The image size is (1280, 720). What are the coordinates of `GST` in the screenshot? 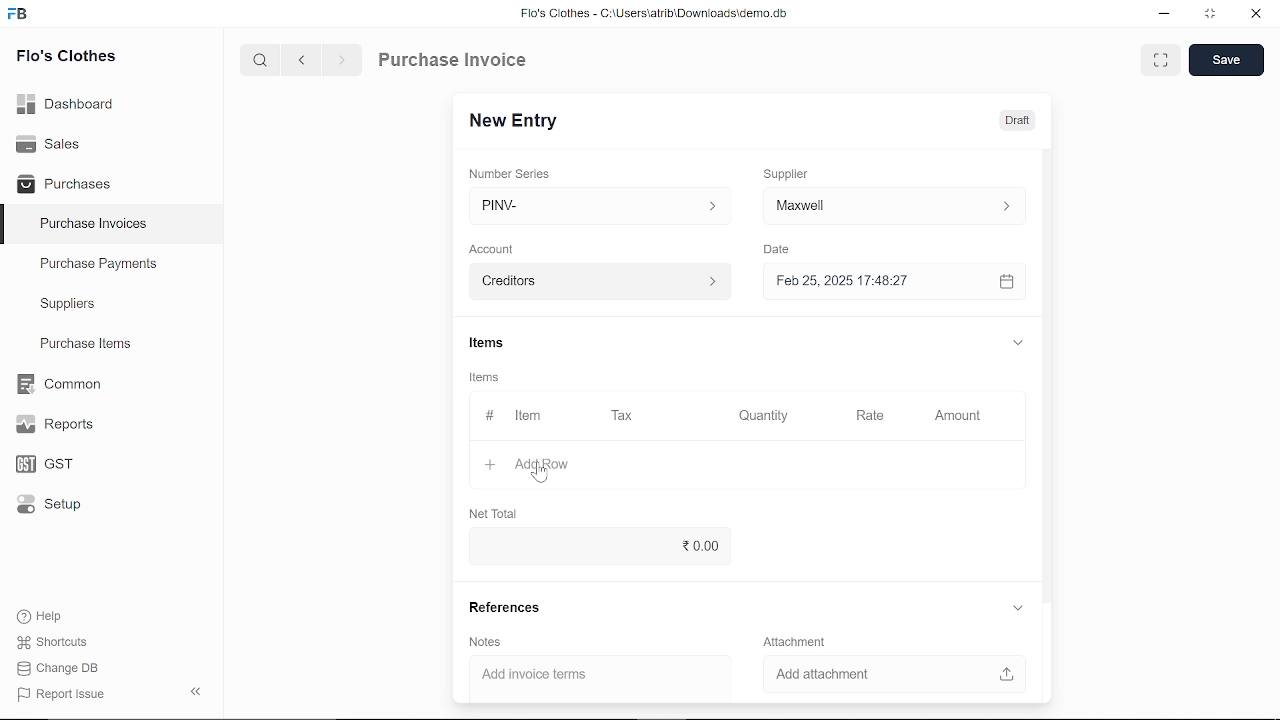 It's located at (38, 465).